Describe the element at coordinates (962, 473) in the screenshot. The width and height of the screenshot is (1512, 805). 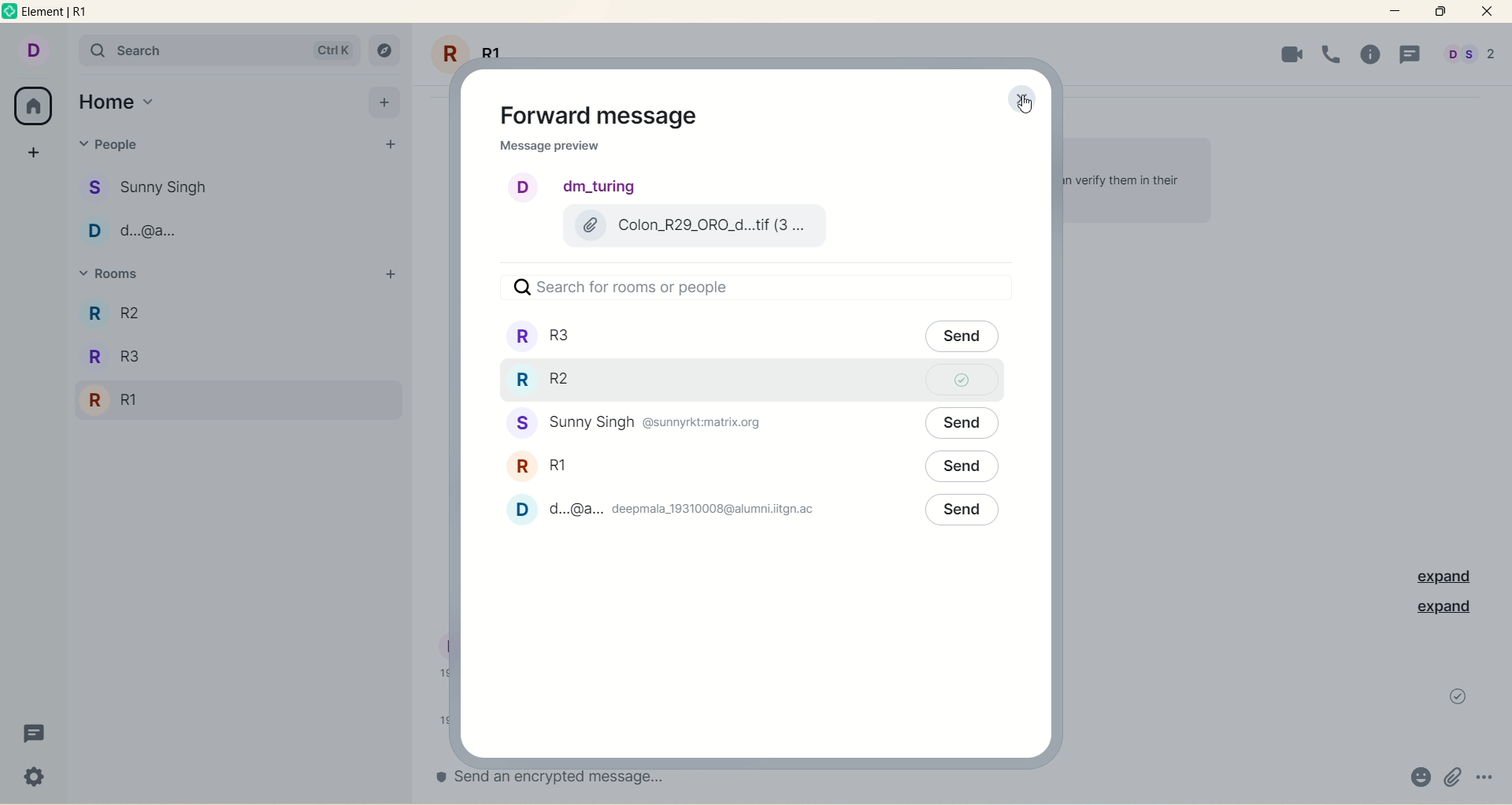
I see `send` at that location.